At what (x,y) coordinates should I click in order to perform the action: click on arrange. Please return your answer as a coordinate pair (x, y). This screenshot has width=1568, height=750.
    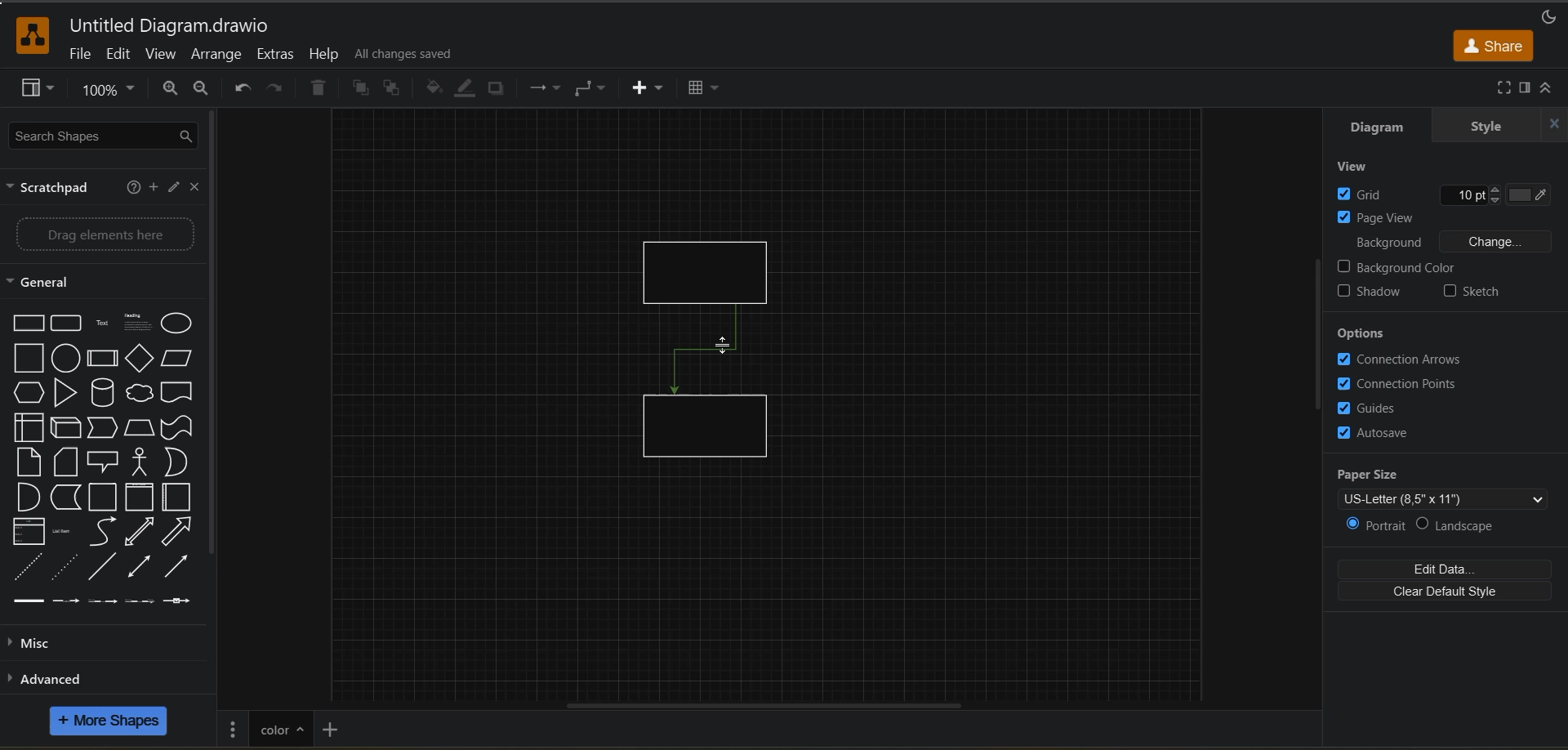
    Looking at the image, I should click on (216, 56).